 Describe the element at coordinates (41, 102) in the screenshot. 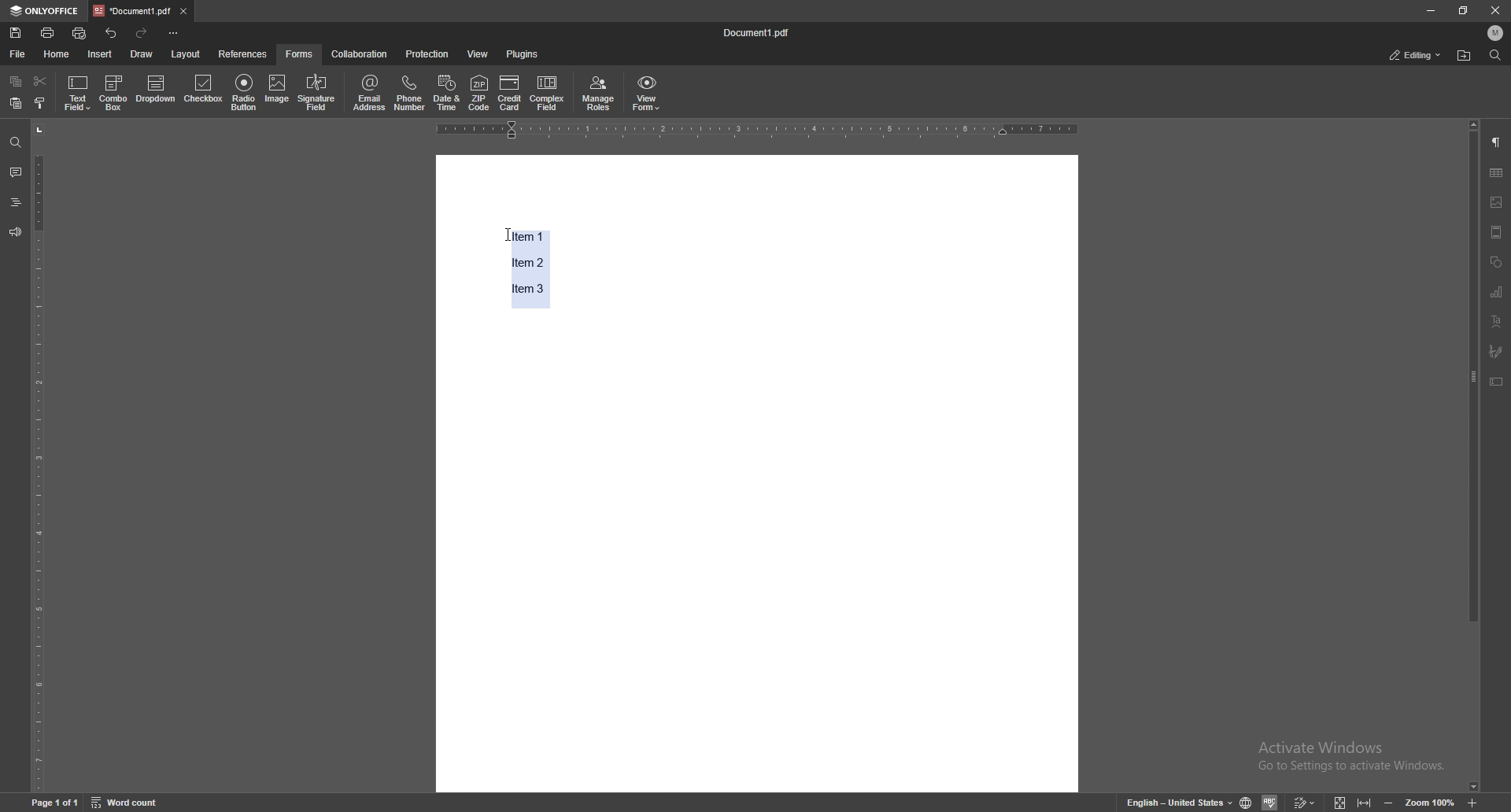

I see `copy style` at that location.